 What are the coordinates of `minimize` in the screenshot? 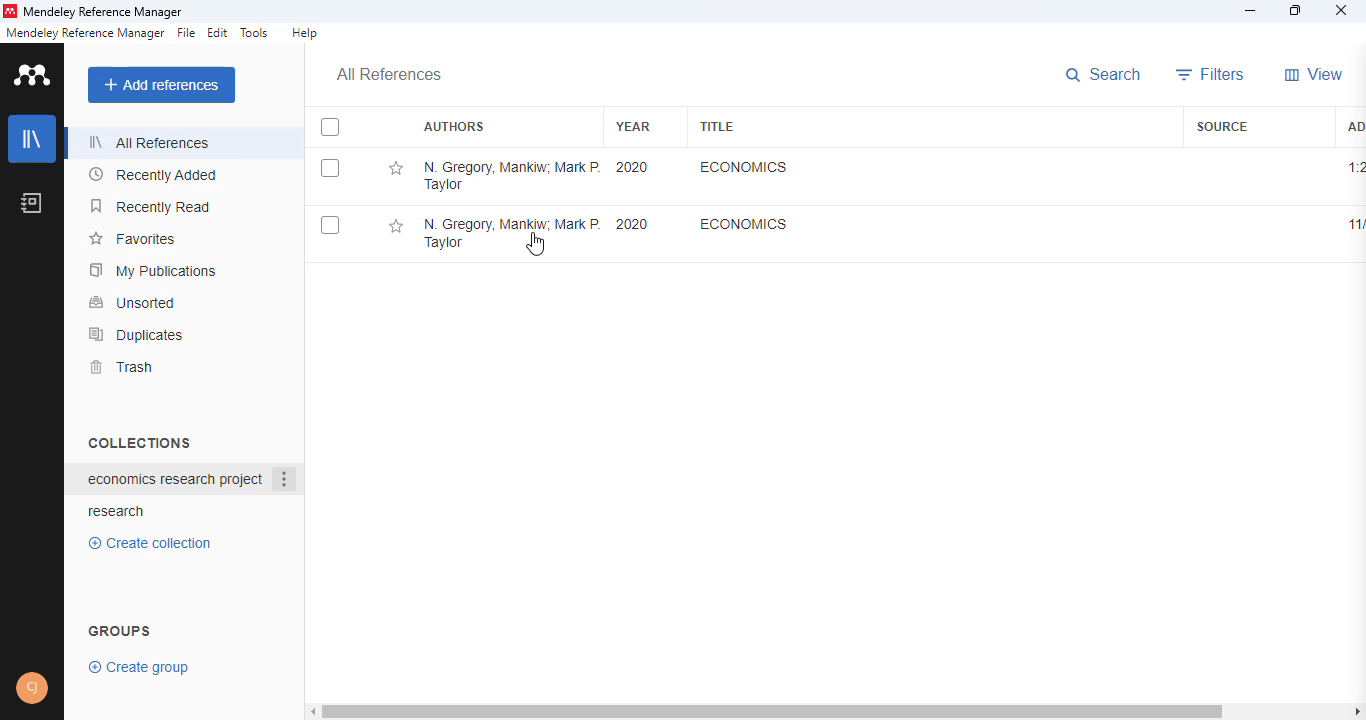 It's located at (1252, 11).